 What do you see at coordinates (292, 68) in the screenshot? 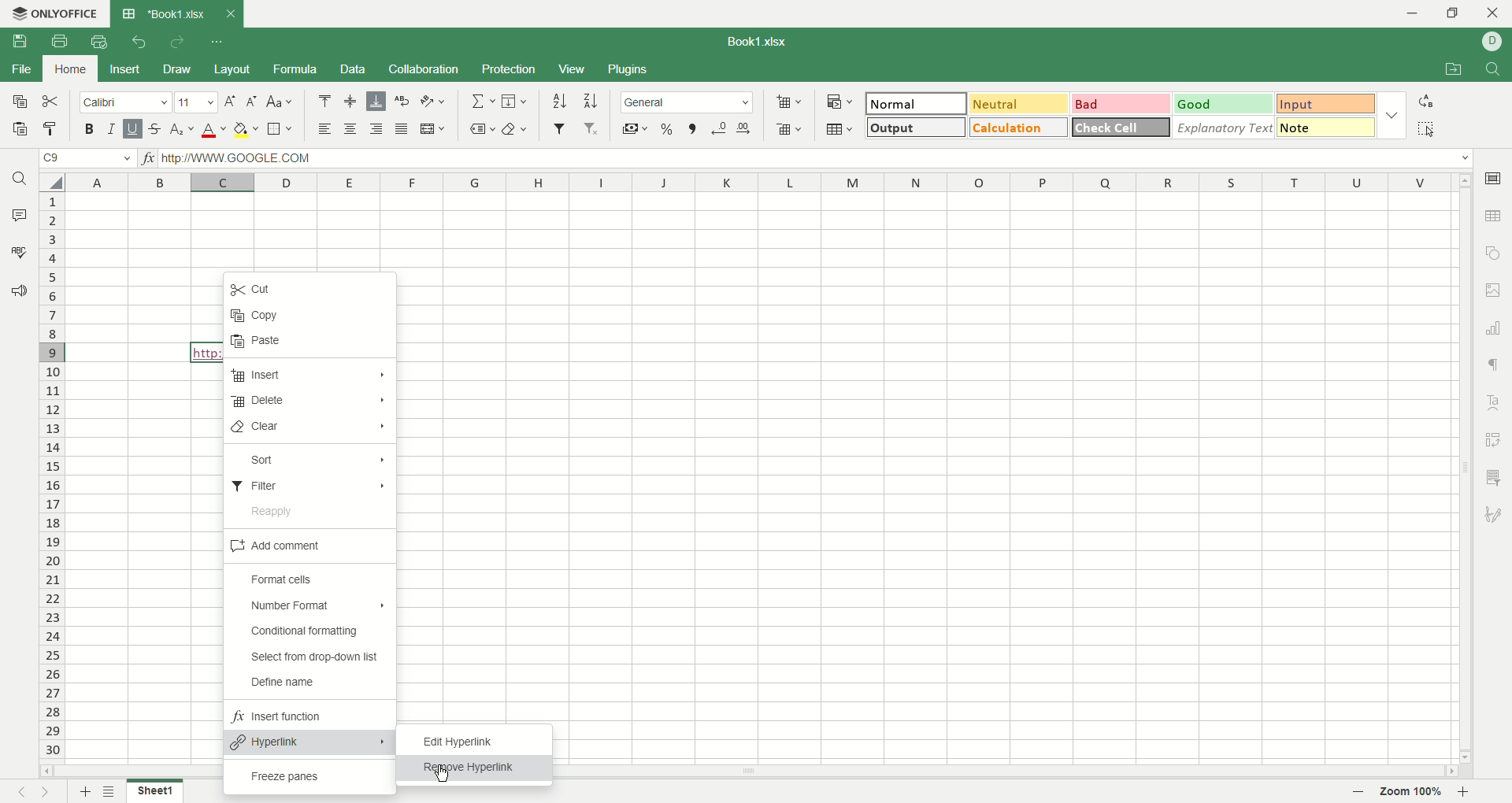
I see `formula` at bounding box center [292, 68].